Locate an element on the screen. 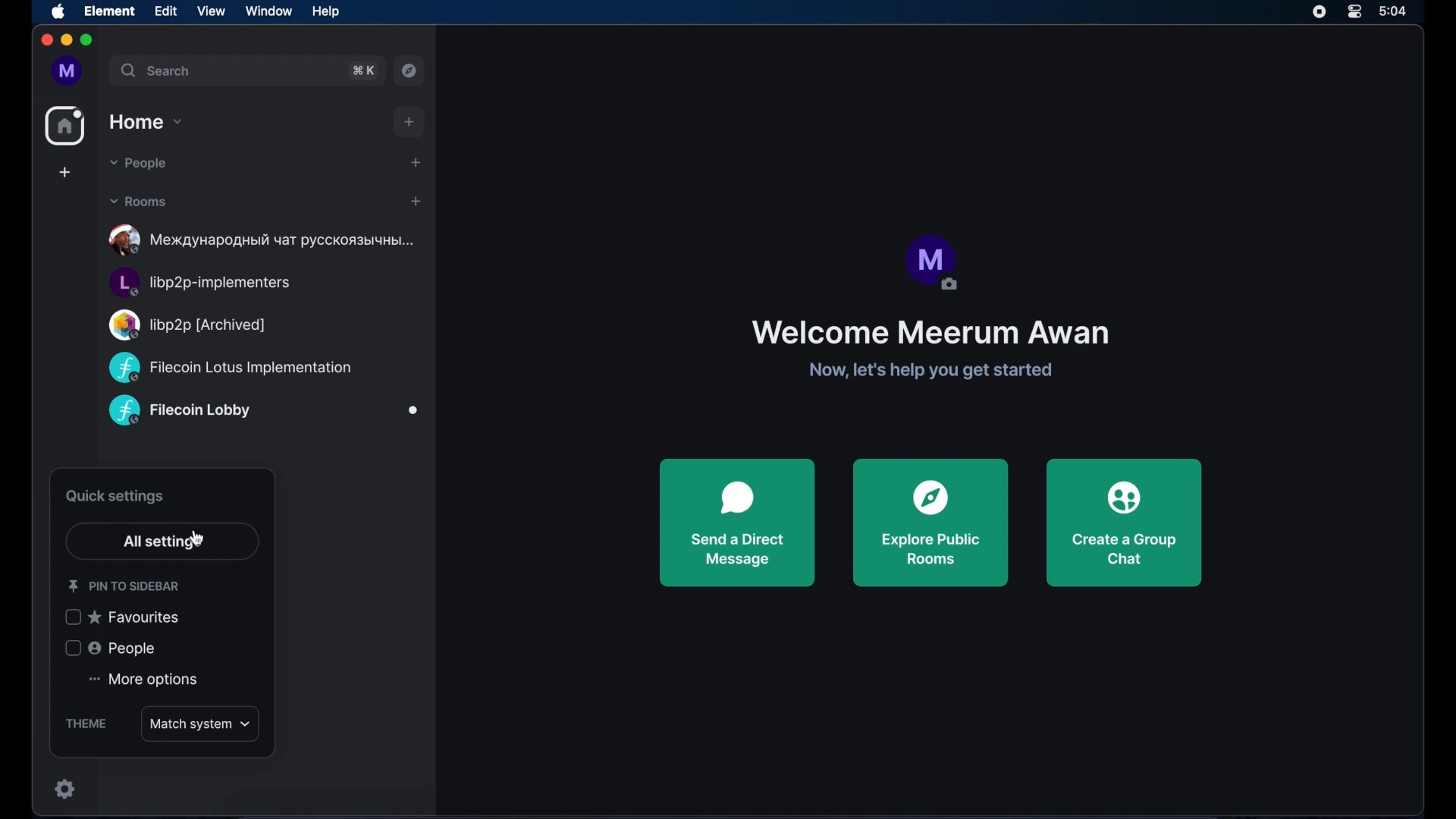 The height and width of the screenshot is (819, 1456). help is located at coordinates (325, 11).